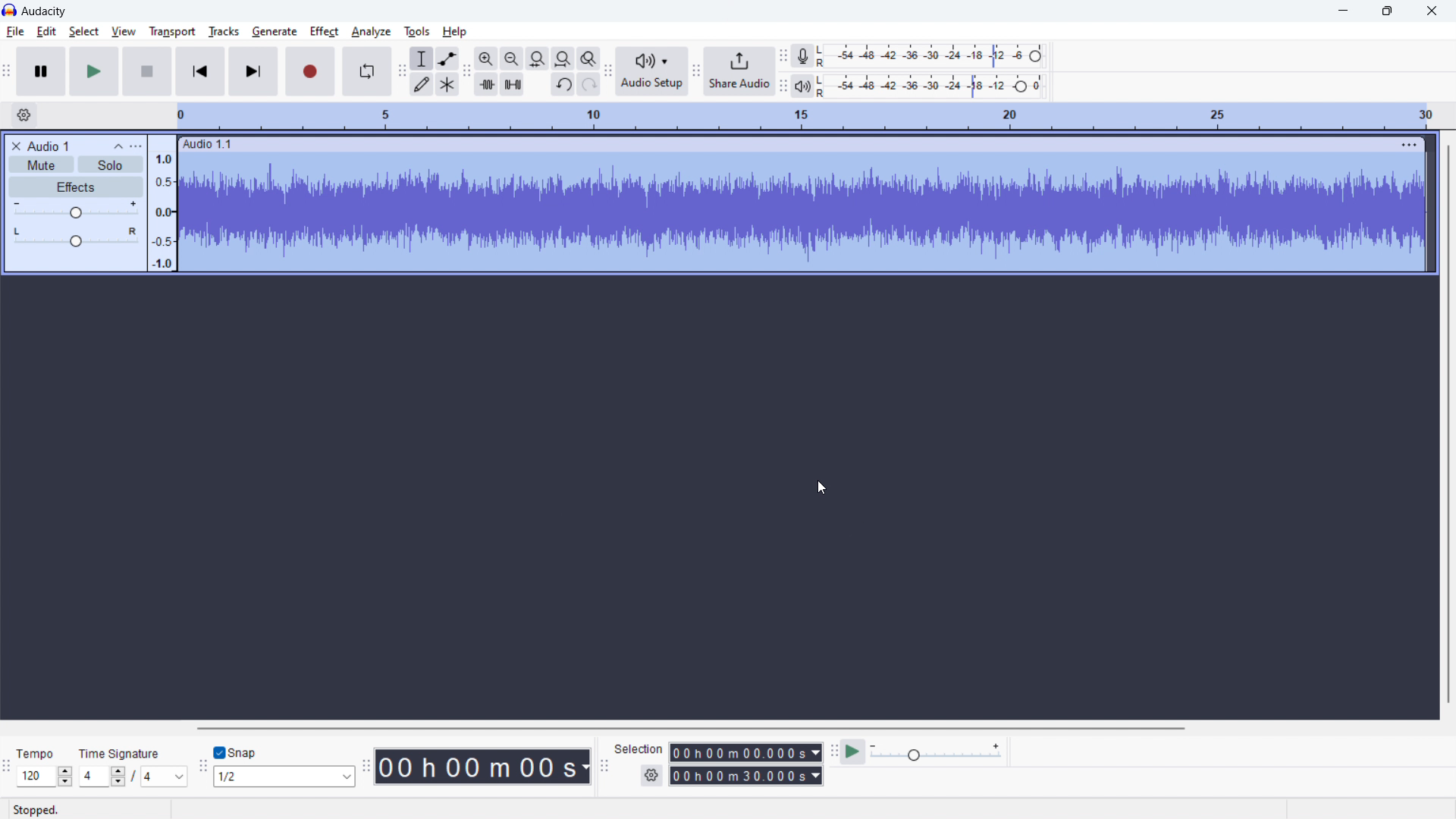  Describe the element at coordinates (511, 58) in the screenshot. I see `zoom out` at that location.